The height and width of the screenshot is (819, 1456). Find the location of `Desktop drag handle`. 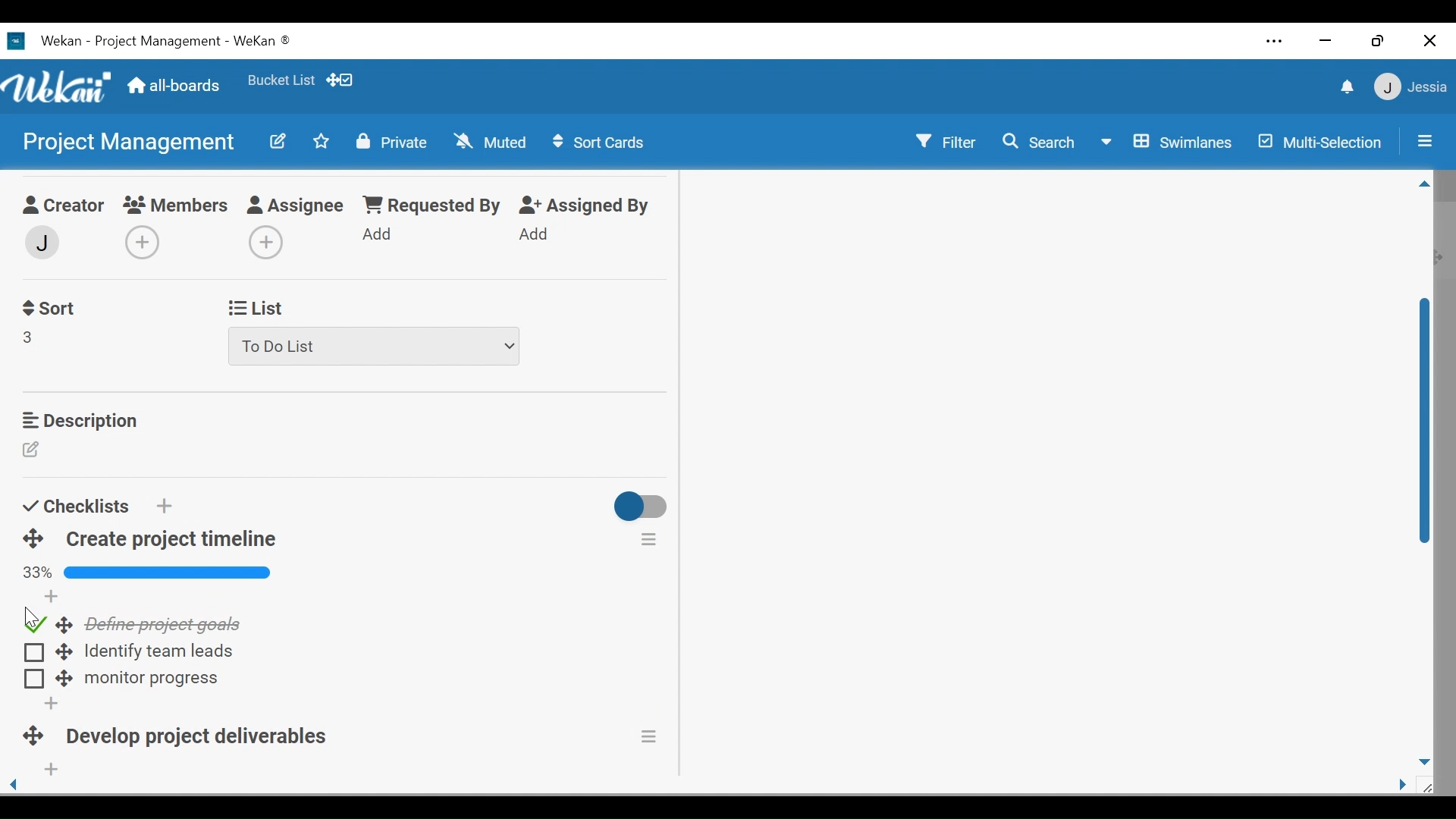

Desktop drag handle is located at coordinates (62, 626).